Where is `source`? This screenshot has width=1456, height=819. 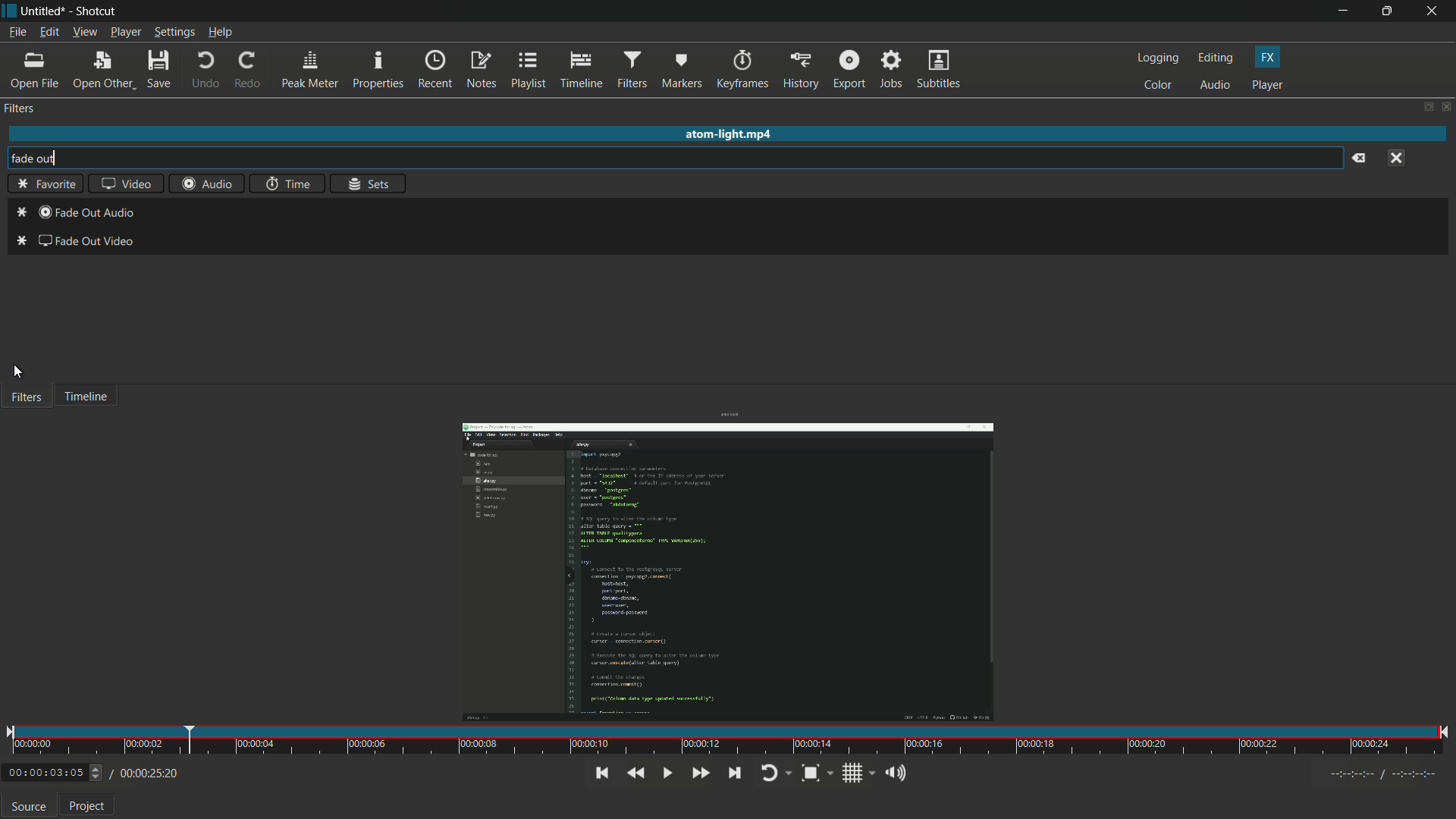 source is located at coordinates (29, 808).